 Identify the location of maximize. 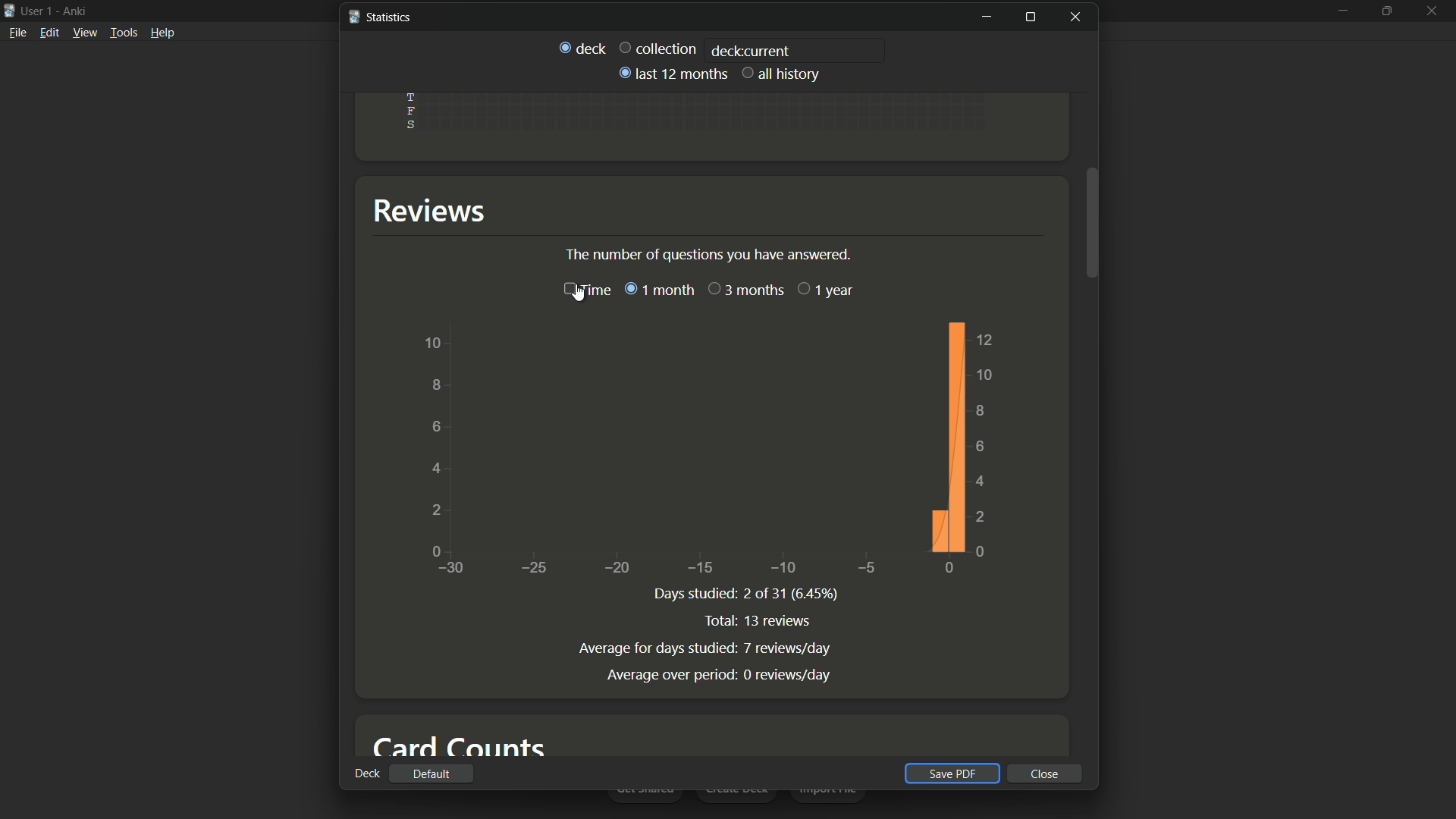
(1389, 11).